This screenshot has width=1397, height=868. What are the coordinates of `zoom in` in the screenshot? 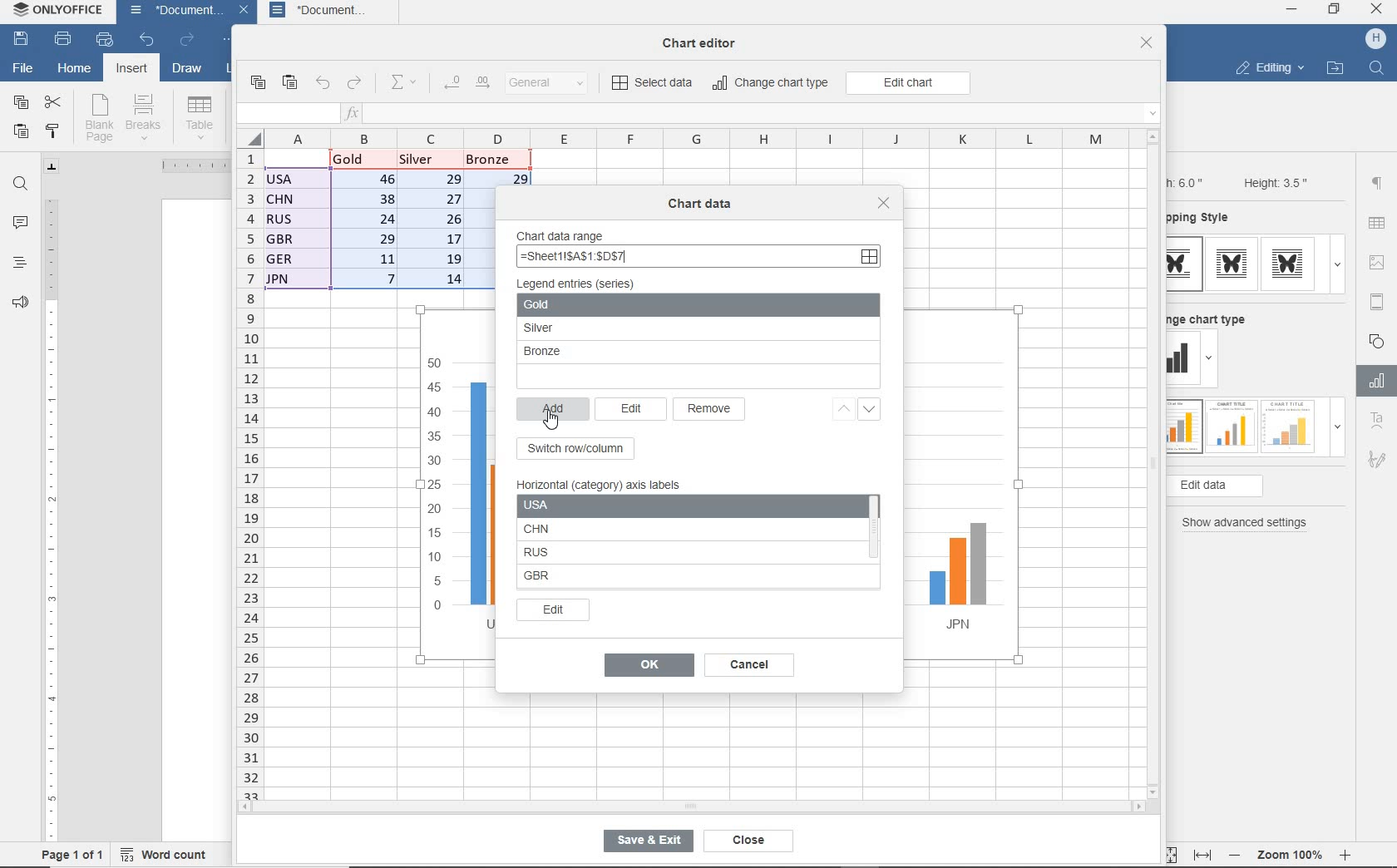 It's located at (1346, 852).